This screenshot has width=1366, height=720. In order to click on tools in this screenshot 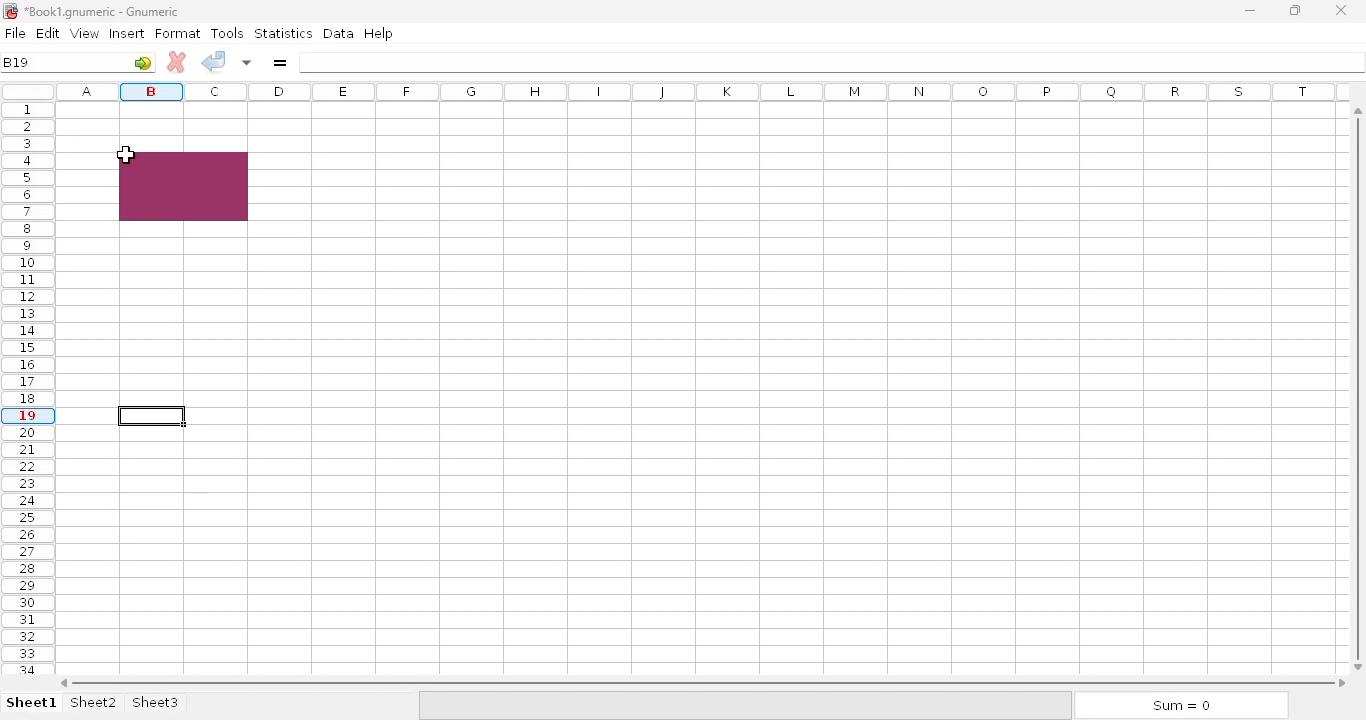, I will do `click(226, 33)`.